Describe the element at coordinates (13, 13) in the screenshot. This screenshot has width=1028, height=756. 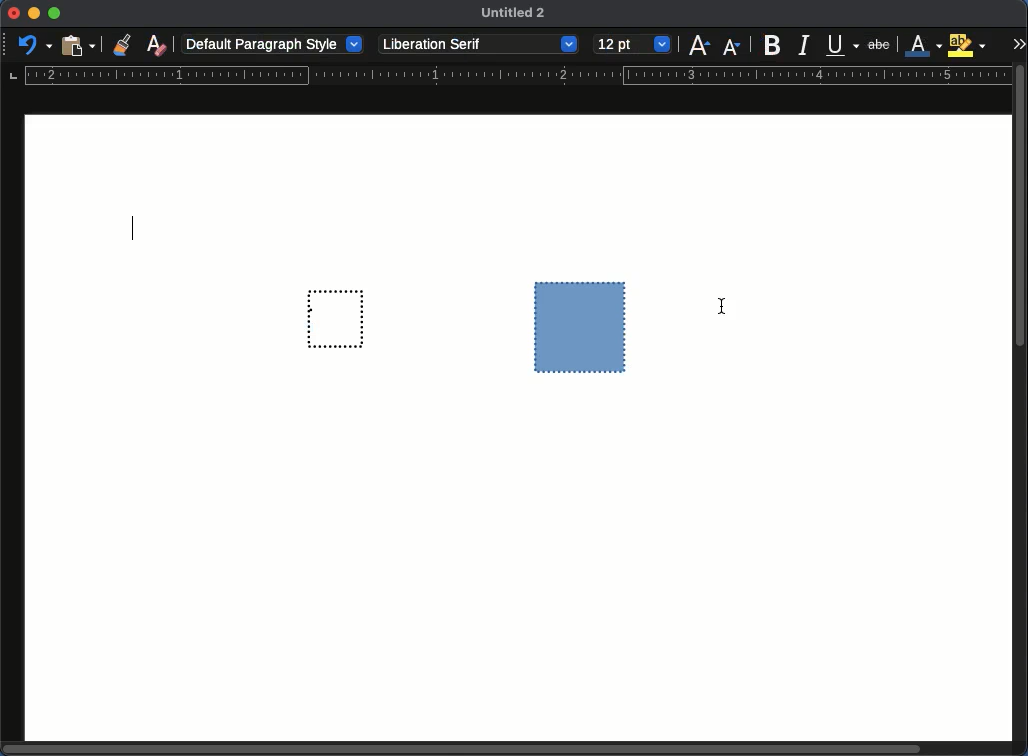
I see `close` at that location.